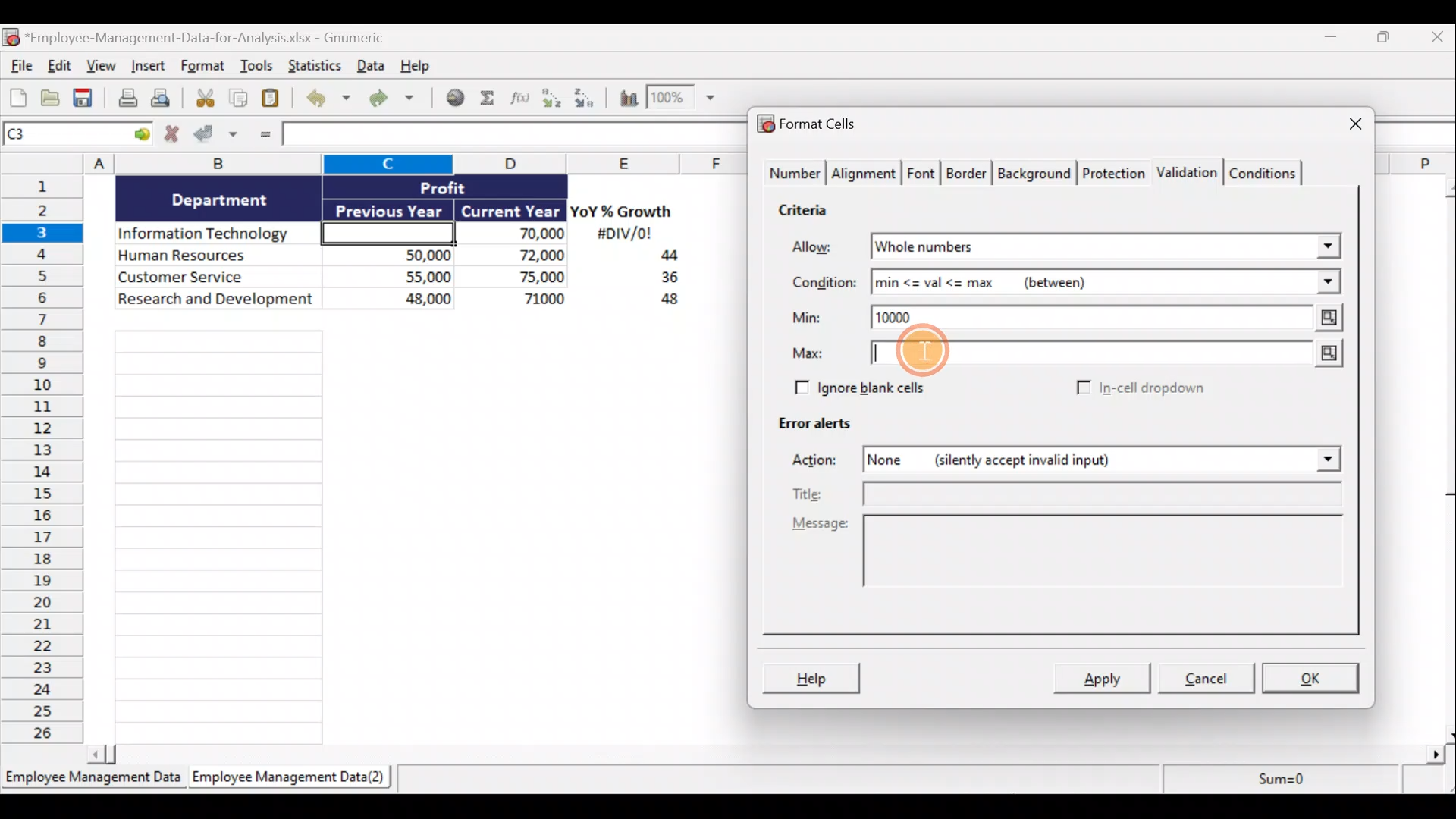 Image resolution: width=1456 pixels, height=819 pixels. What do you see at coordinates (384, 231) in the screenshot?
I see `Cell C3` at bounding box center [384, 231].